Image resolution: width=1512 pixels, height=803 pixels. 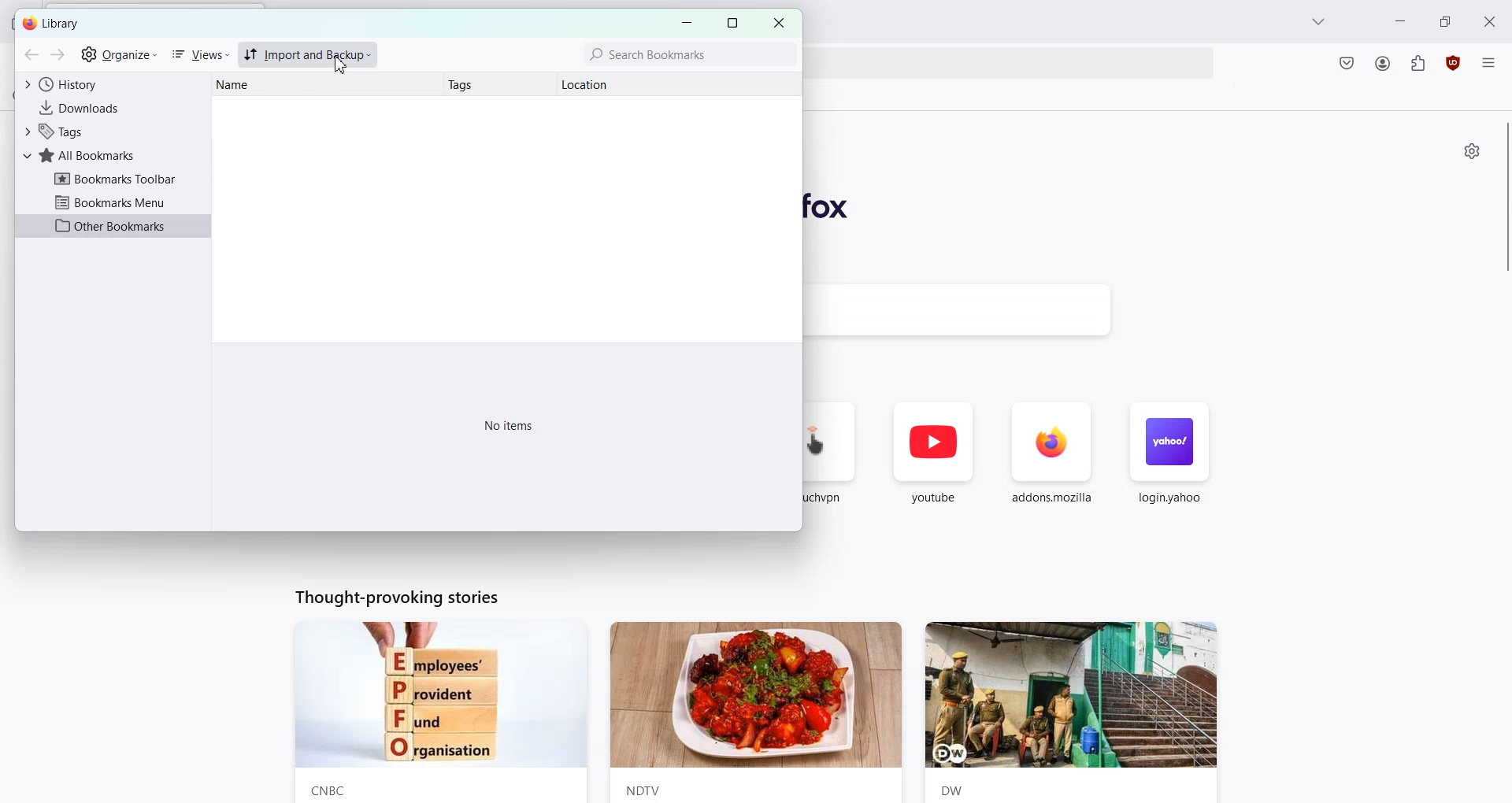 I want to click on login.yahoo, so click(x=1168, y=462).